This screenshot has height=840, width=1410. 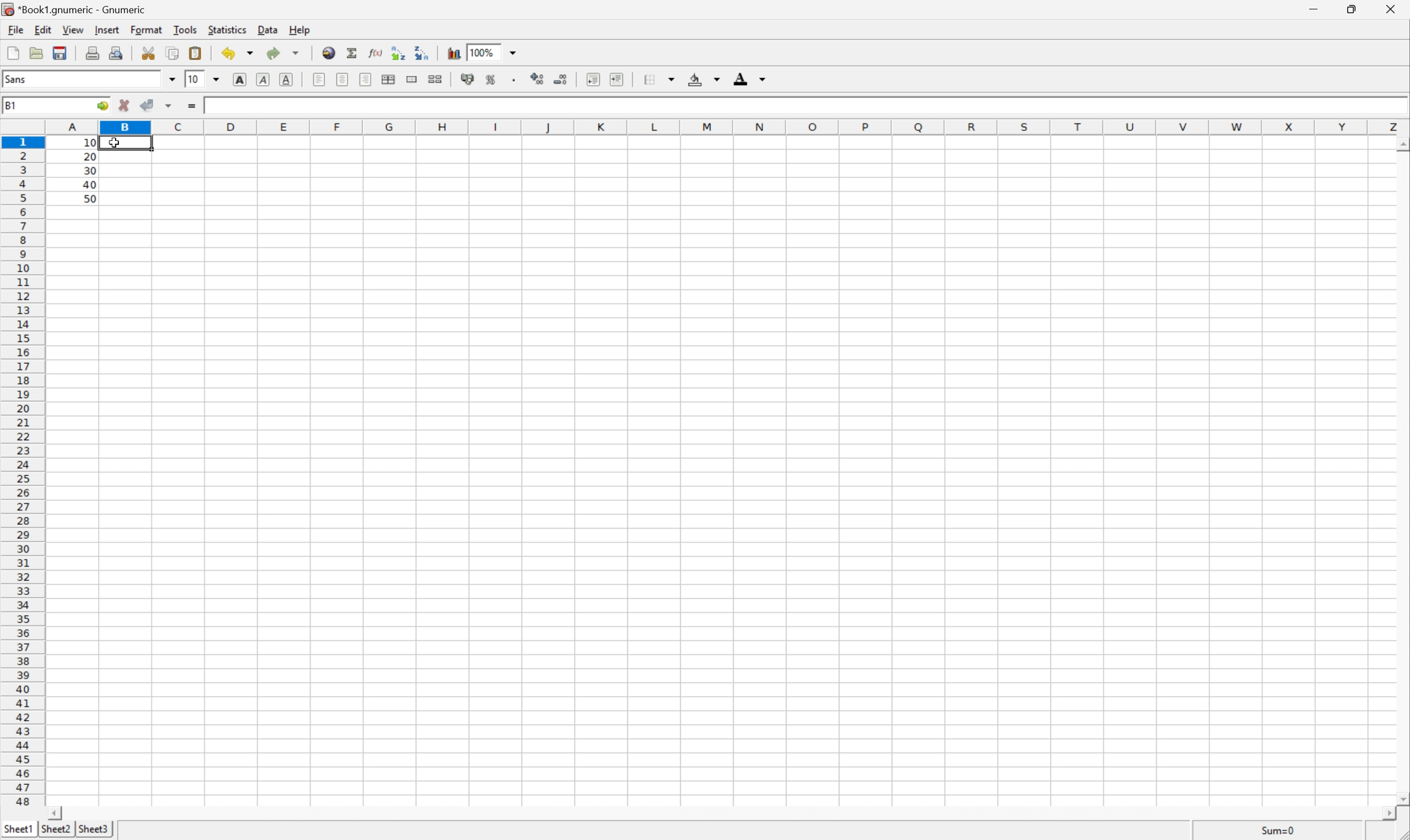 I want to click on Center Horizontally, so click(x=343, y=78).